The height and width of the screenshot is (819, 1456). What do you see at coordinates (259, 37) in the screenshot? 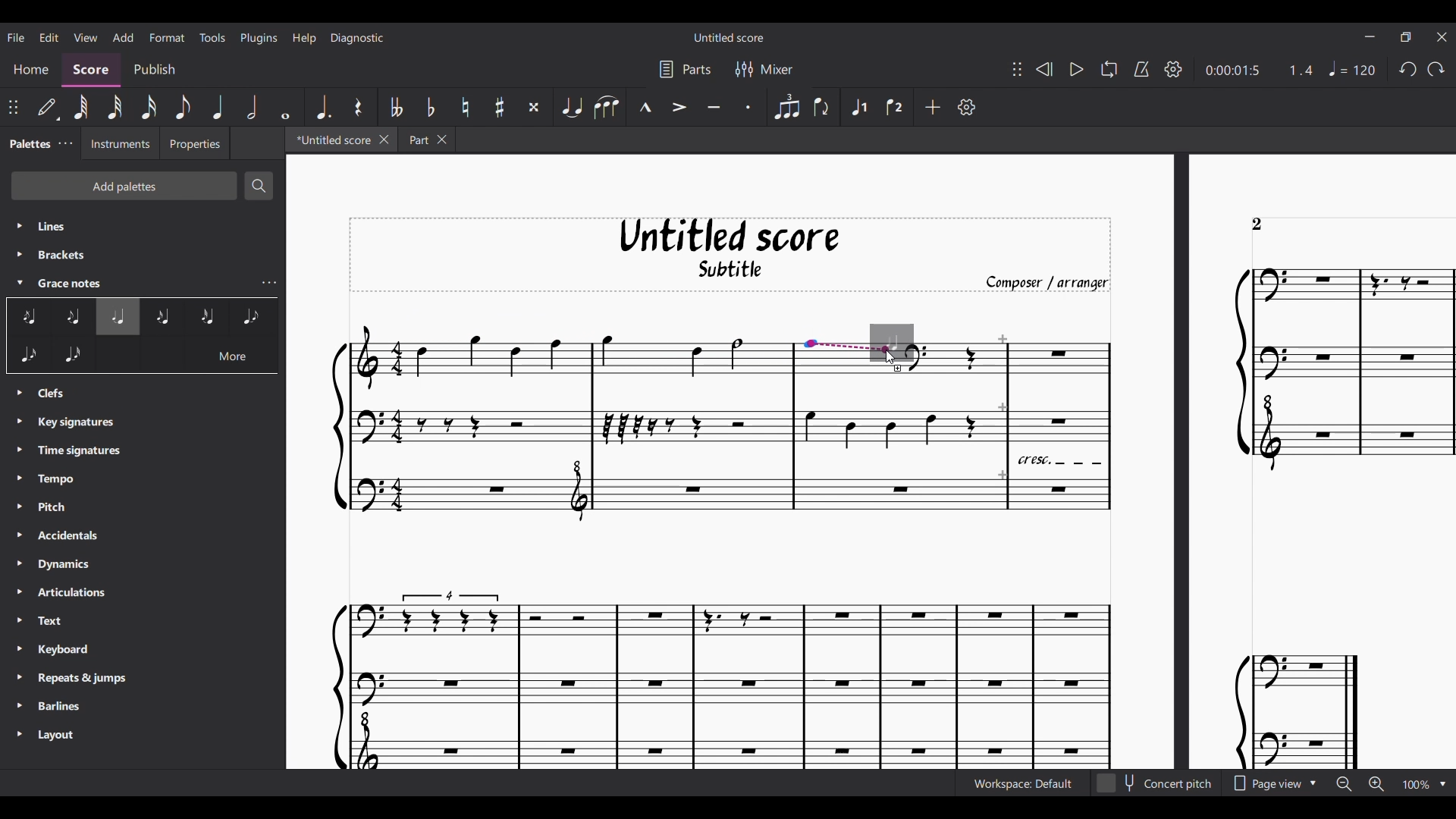
I see `Plugins menu` at bounding box center [259, 37].